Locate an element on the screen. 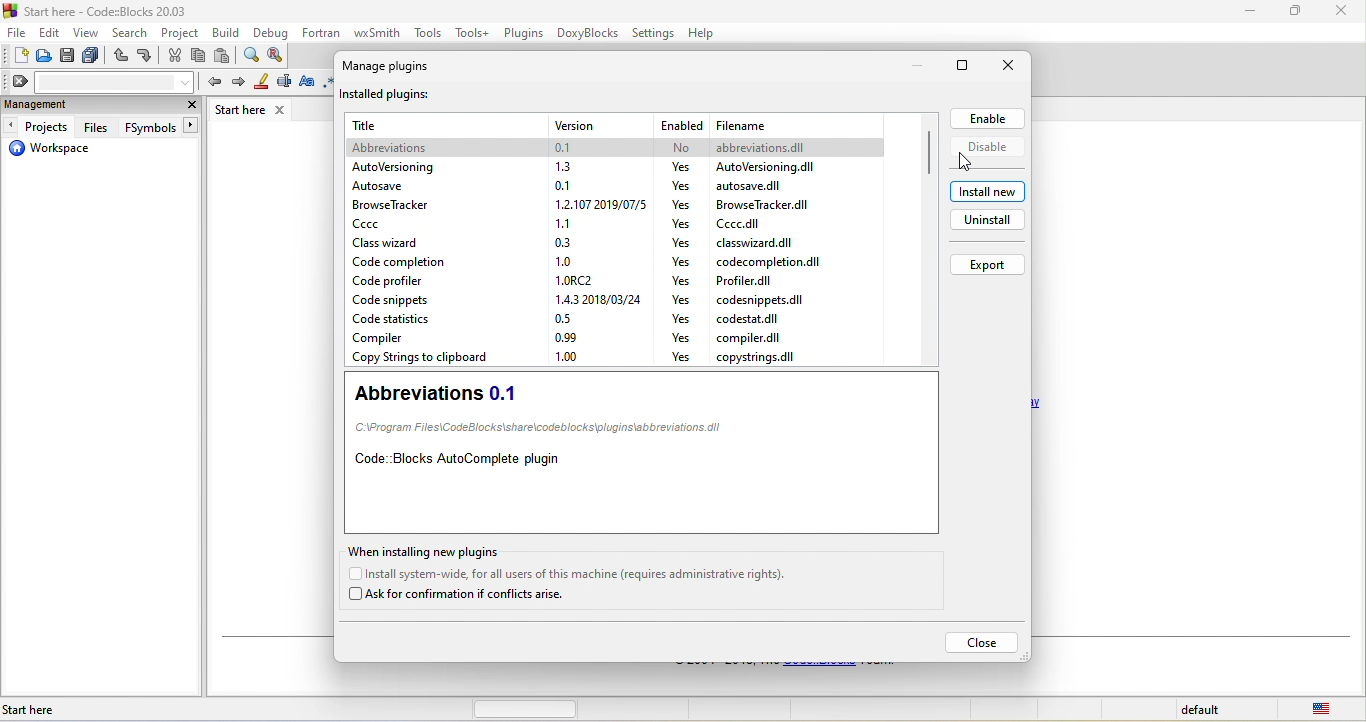 The width and height of the screenshot is (1366, 722). color change in enable is located at coordinates (983, 119).